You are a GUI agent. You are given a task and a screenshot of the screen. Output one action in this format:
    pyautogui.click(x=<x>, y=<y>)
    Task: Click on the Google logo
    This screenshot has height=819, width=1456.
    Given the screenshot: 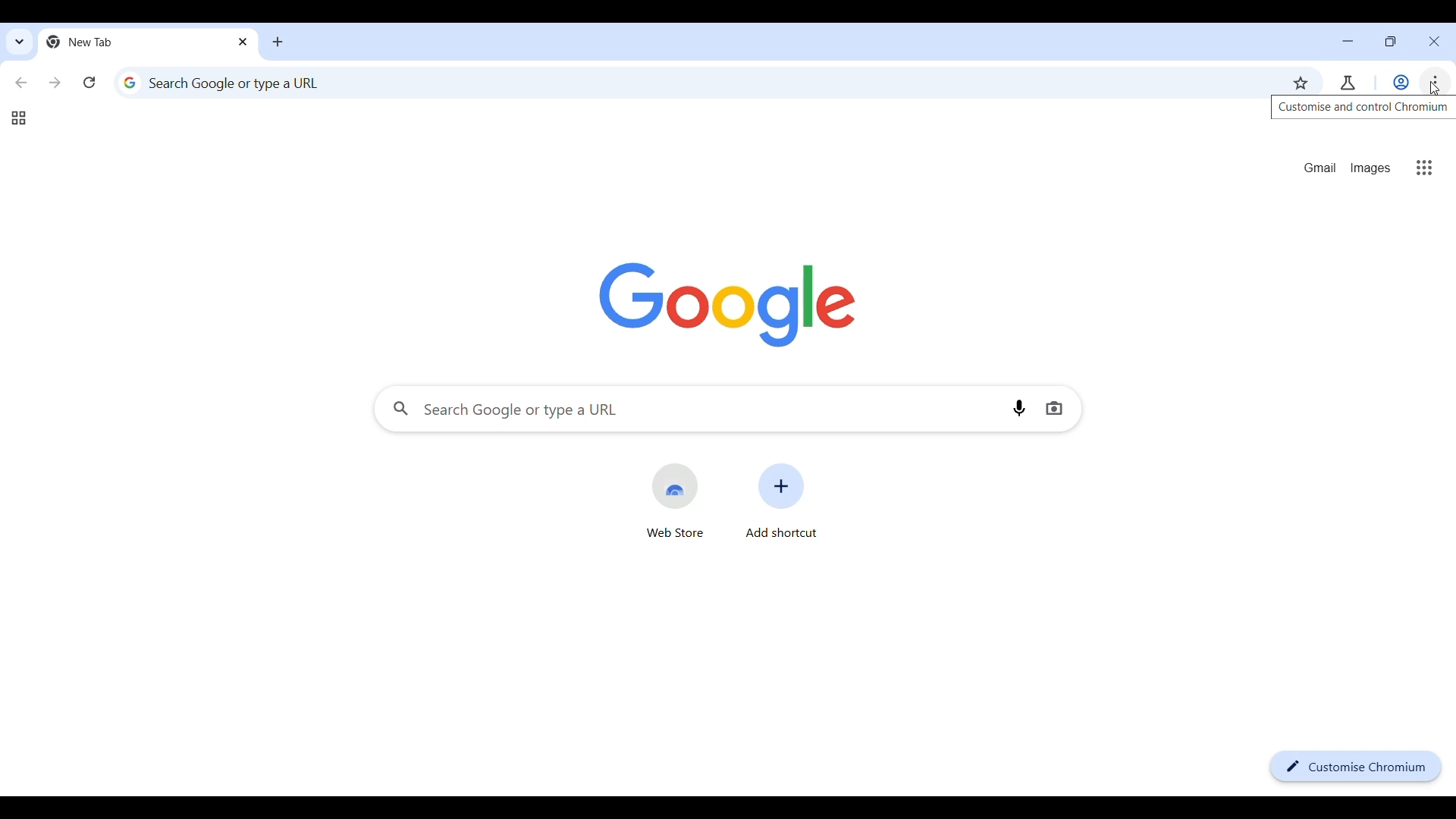 What is the action you would take?
    pyautogui.click(x=728, y=306)
    